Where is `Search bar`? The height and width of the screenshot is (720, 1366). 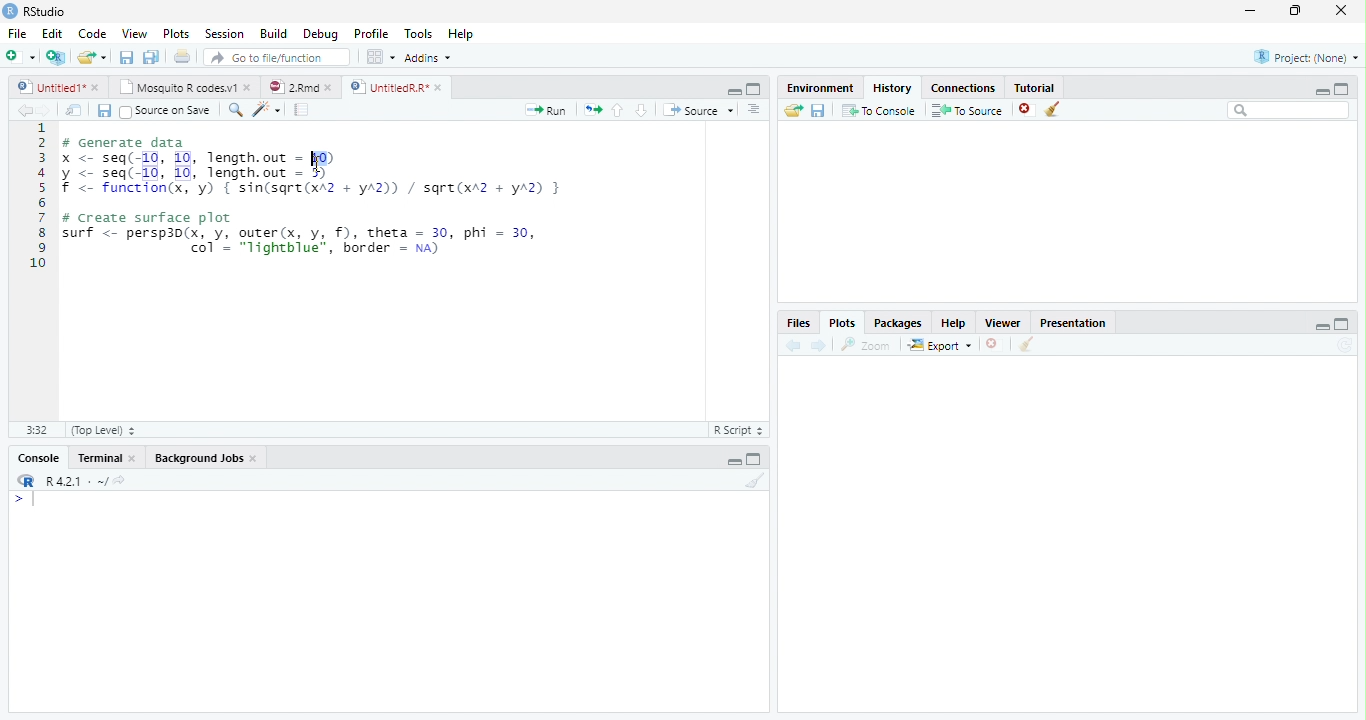
Search bar is located at coordinates (1288, 110).